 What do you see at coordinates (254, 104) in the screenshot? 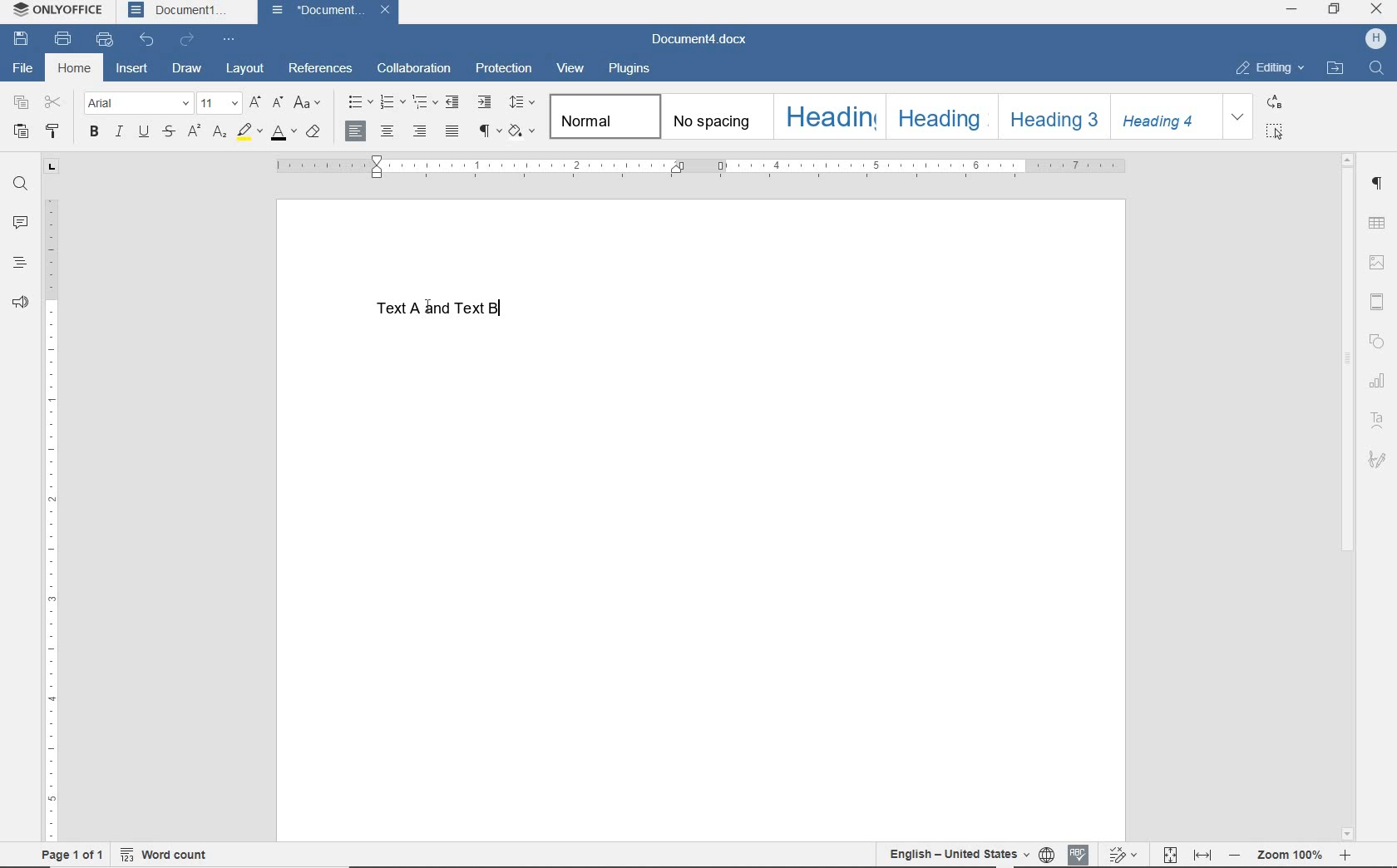
I see `INCREMENT FONT SIZE` at bounding box center [254, 104].